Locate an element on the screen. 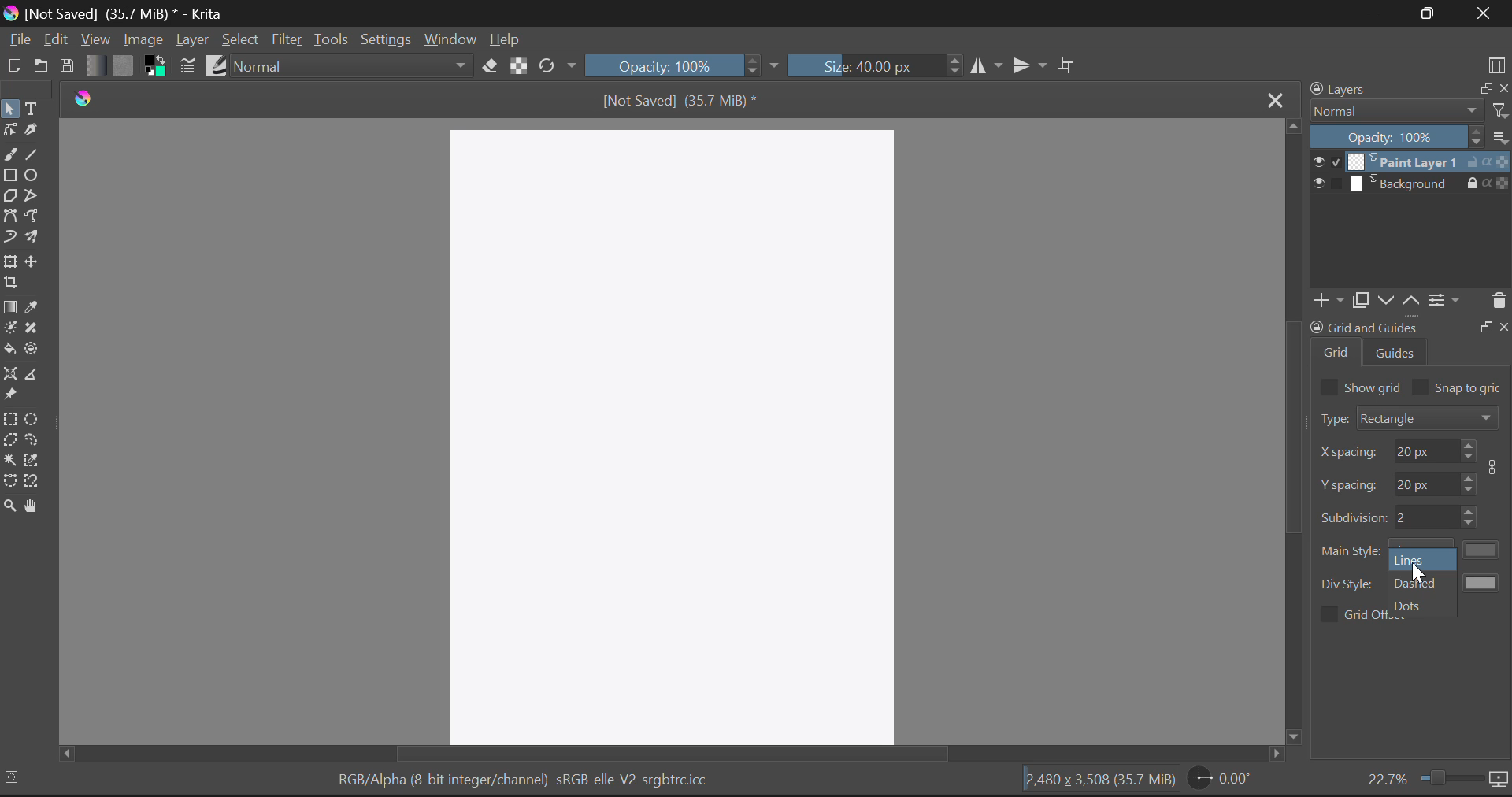 The height and width of the screenshot is (797, 1512). show/hide is located at coordinates (1326, 183).